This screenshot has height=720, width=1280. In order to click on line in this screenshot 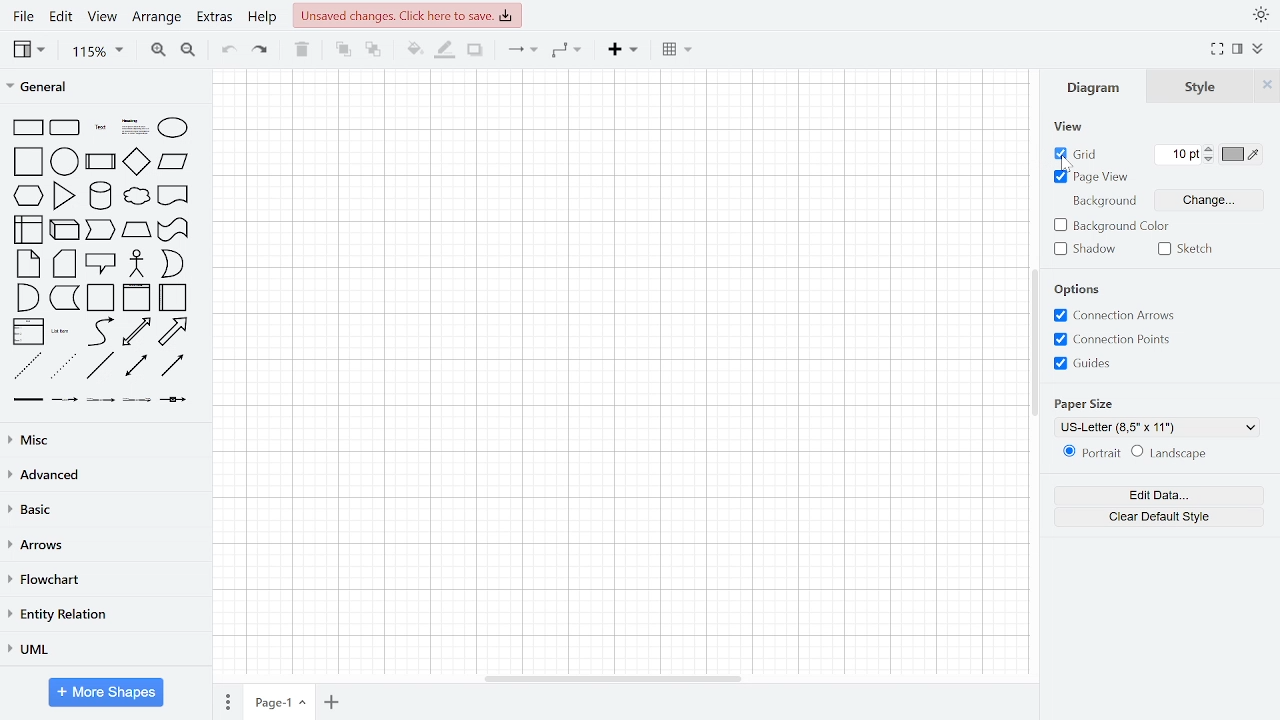, I will do `click(100, 367)`.